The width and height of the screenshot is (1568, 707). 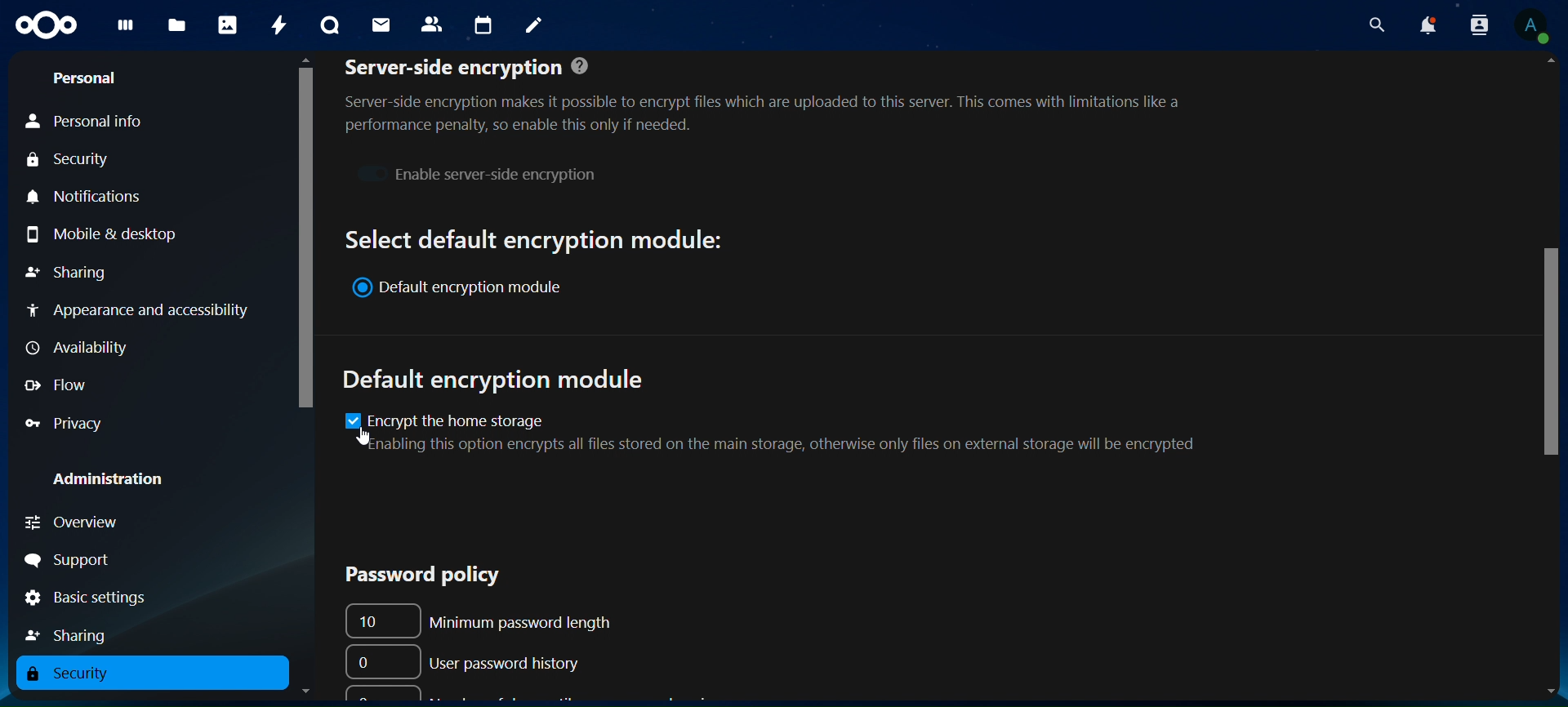 I want to click on support, so click(x=82, y=558).